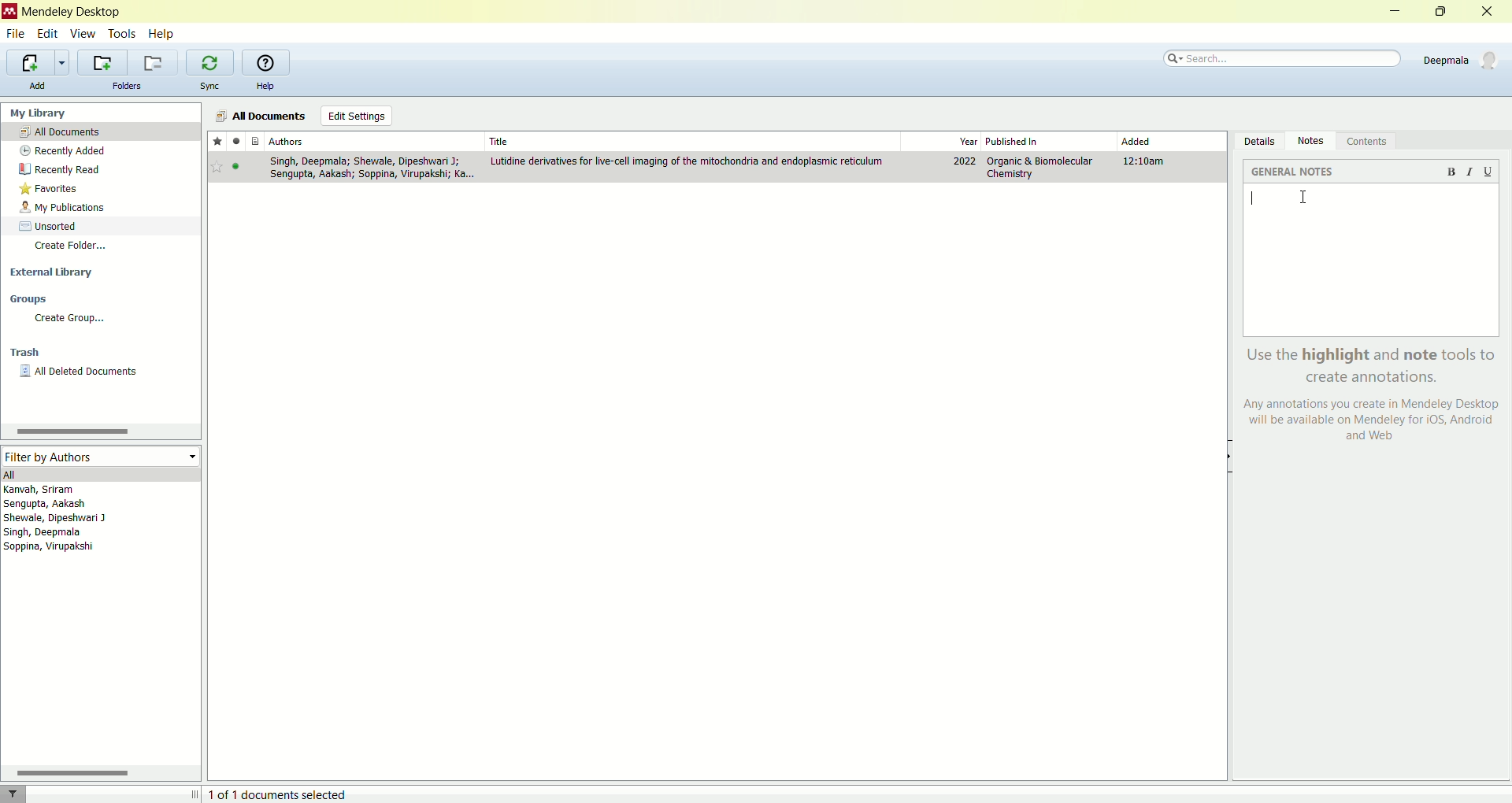  Describe the element at coordinates (101, 224) in the screenshot. I see `unsorted` at that location.